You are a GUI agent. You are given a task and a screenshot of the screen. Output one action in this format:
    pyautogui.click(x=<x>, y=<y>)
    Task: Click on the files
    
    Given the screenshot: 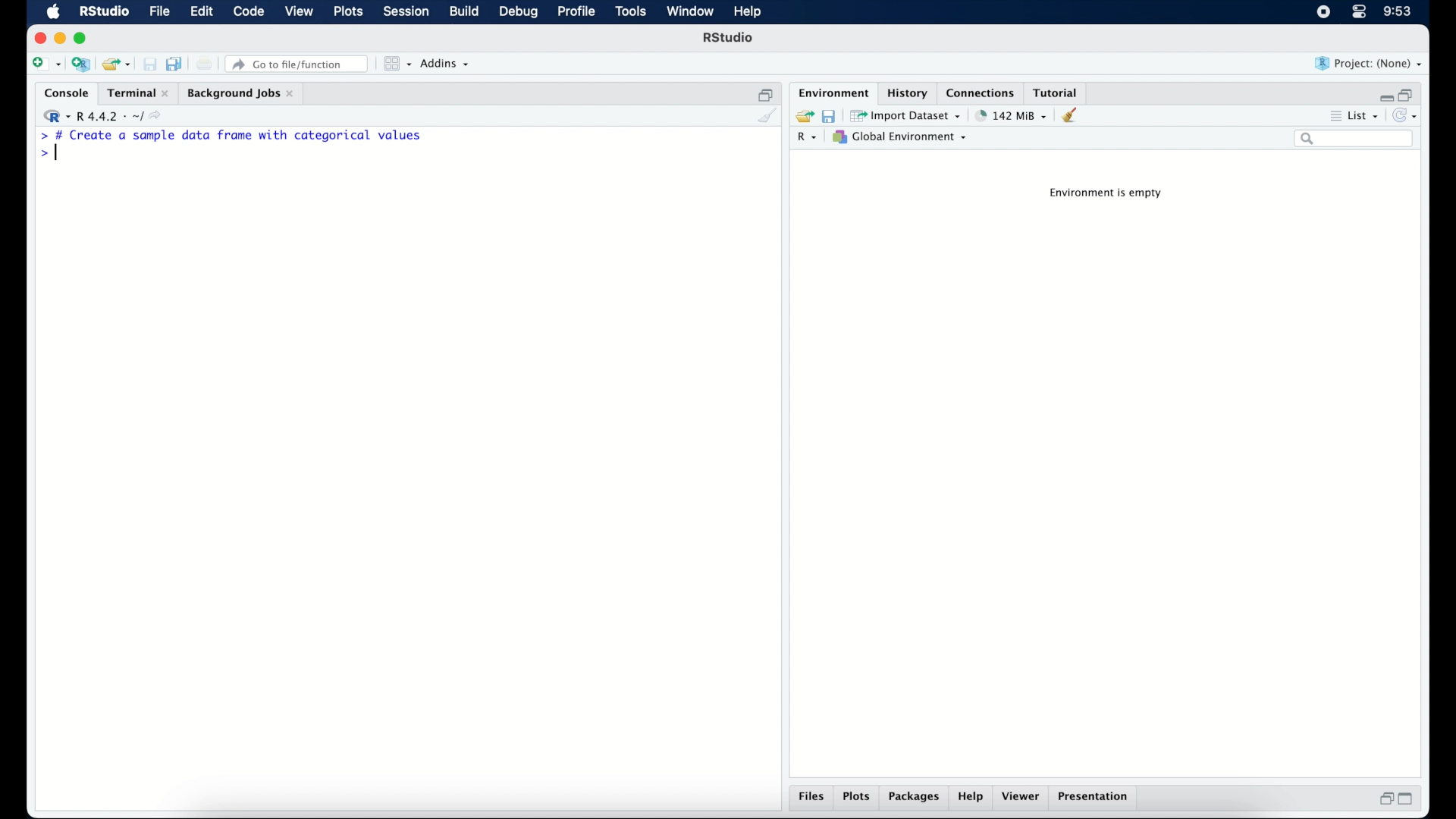 What is the action you would take?
    pyautogui.click(x=810, y=798)
    